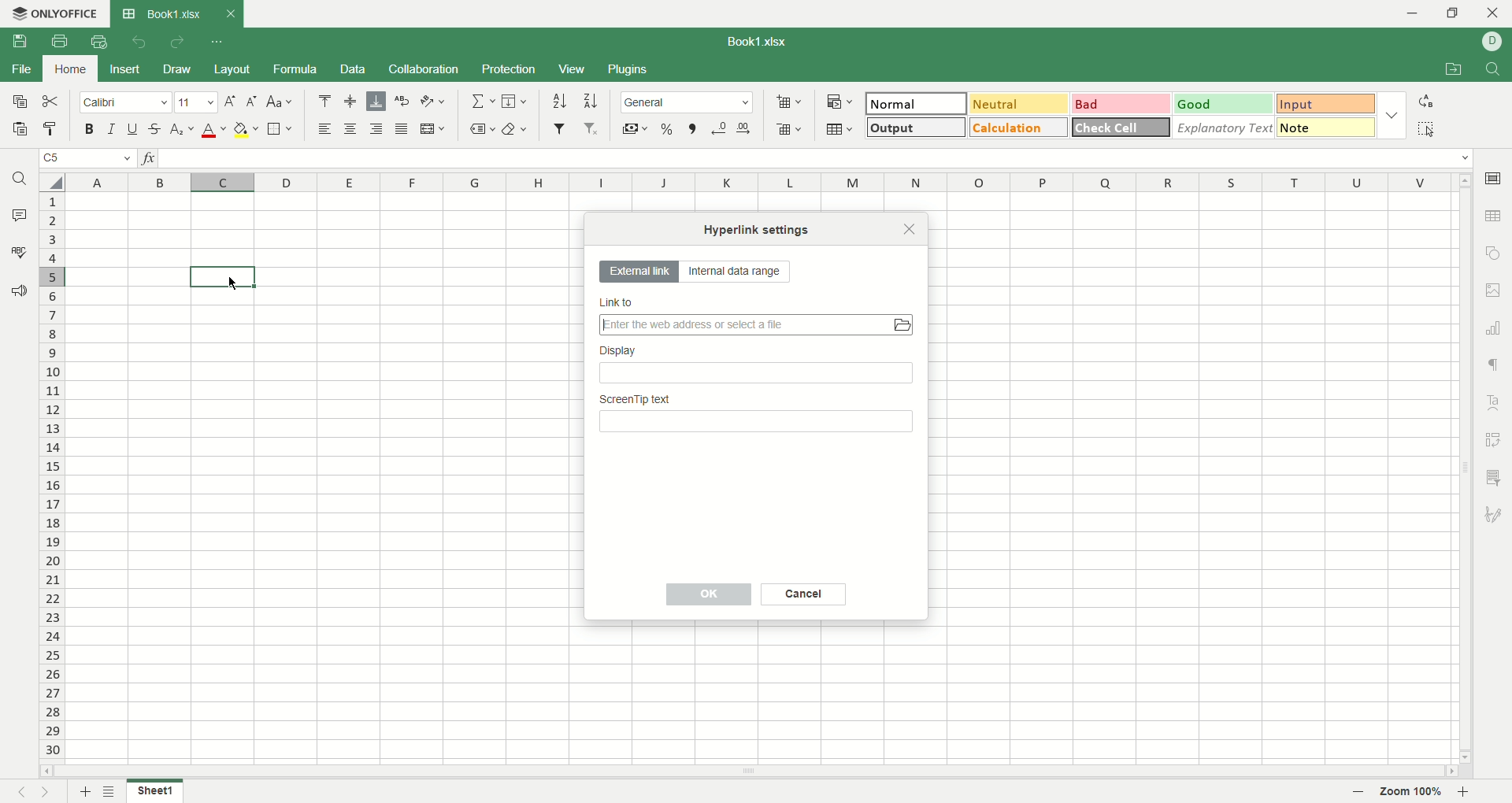 The width and height of the screenshot is (1512, 803). Describe the element at coordinates (20, 131) in the screenshot. I see `paste` at that location.